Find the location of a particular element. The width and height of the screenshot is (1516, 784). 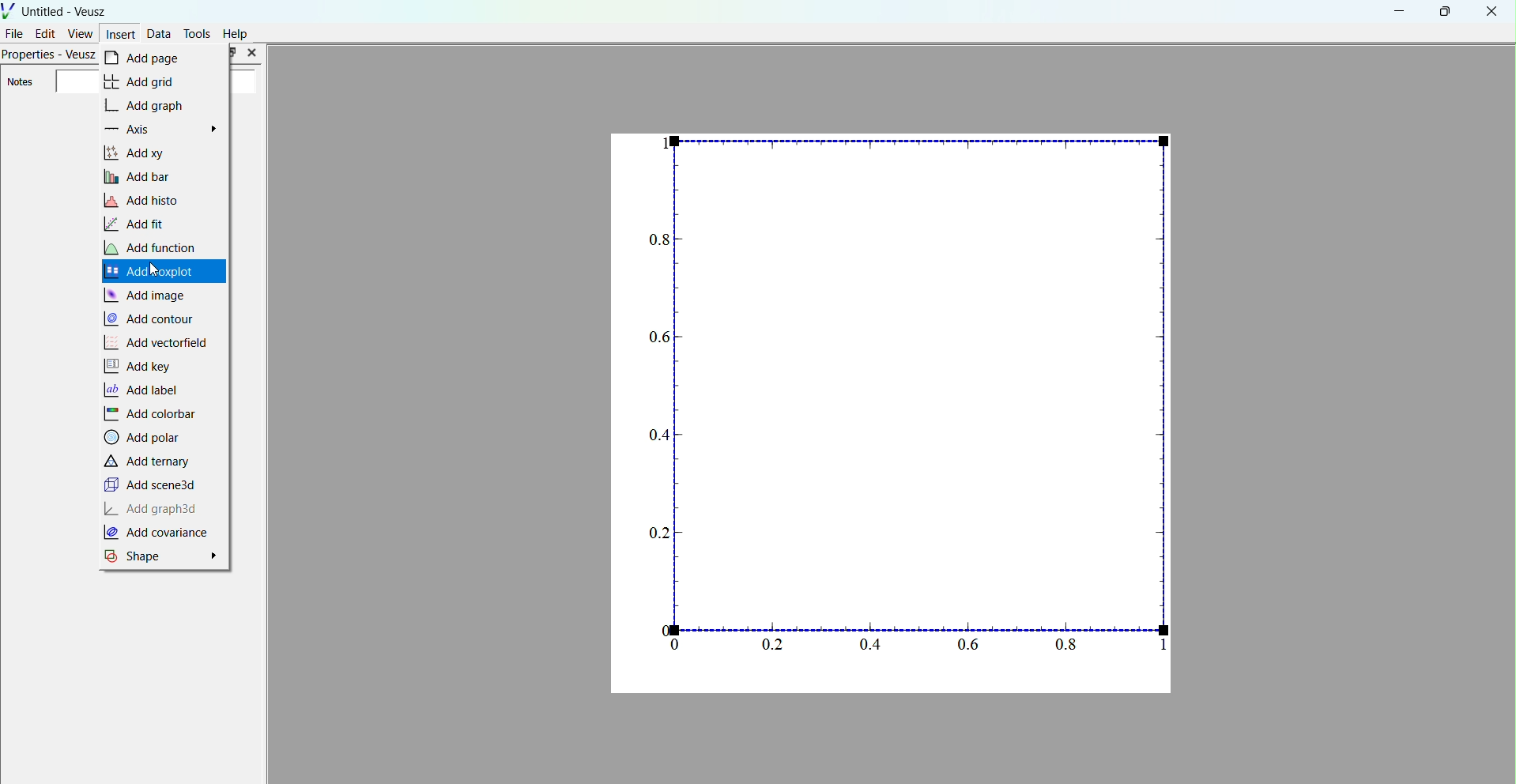

graphs is located at coordinates (893, 412).